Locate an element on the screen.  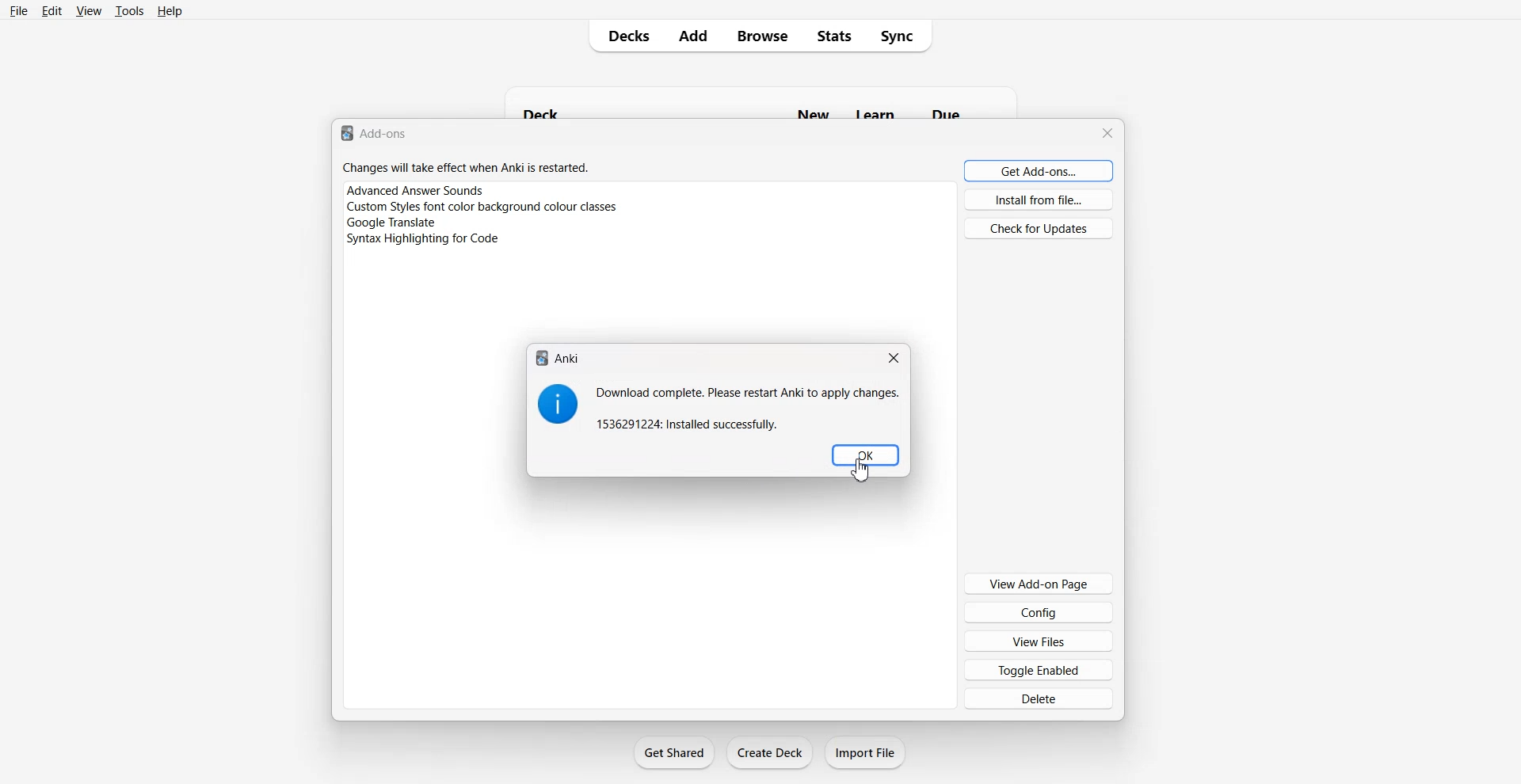
Close is located at coordinates (1109, 133).